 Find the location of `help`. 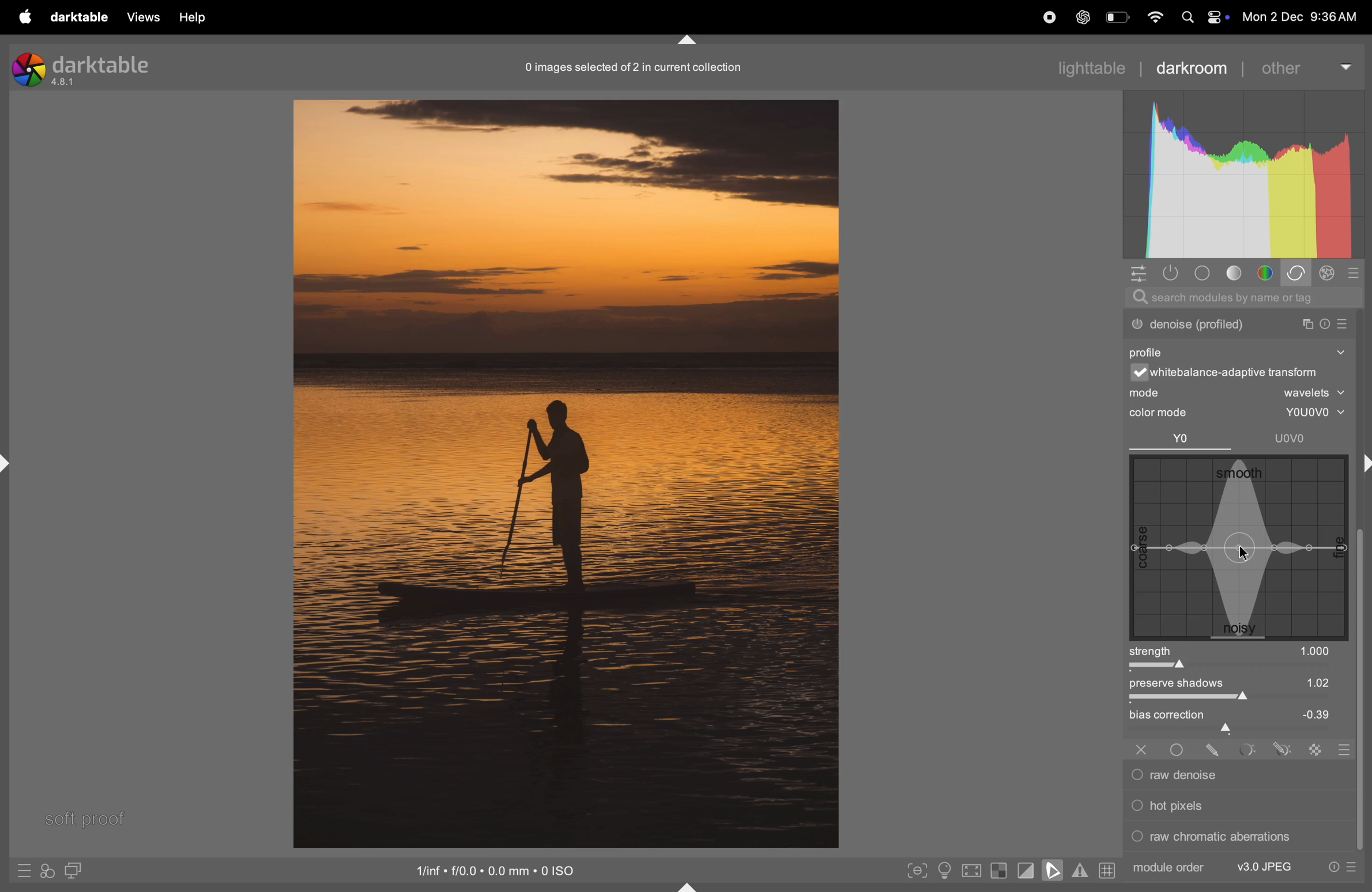

help is located at coordinates (195, 17).